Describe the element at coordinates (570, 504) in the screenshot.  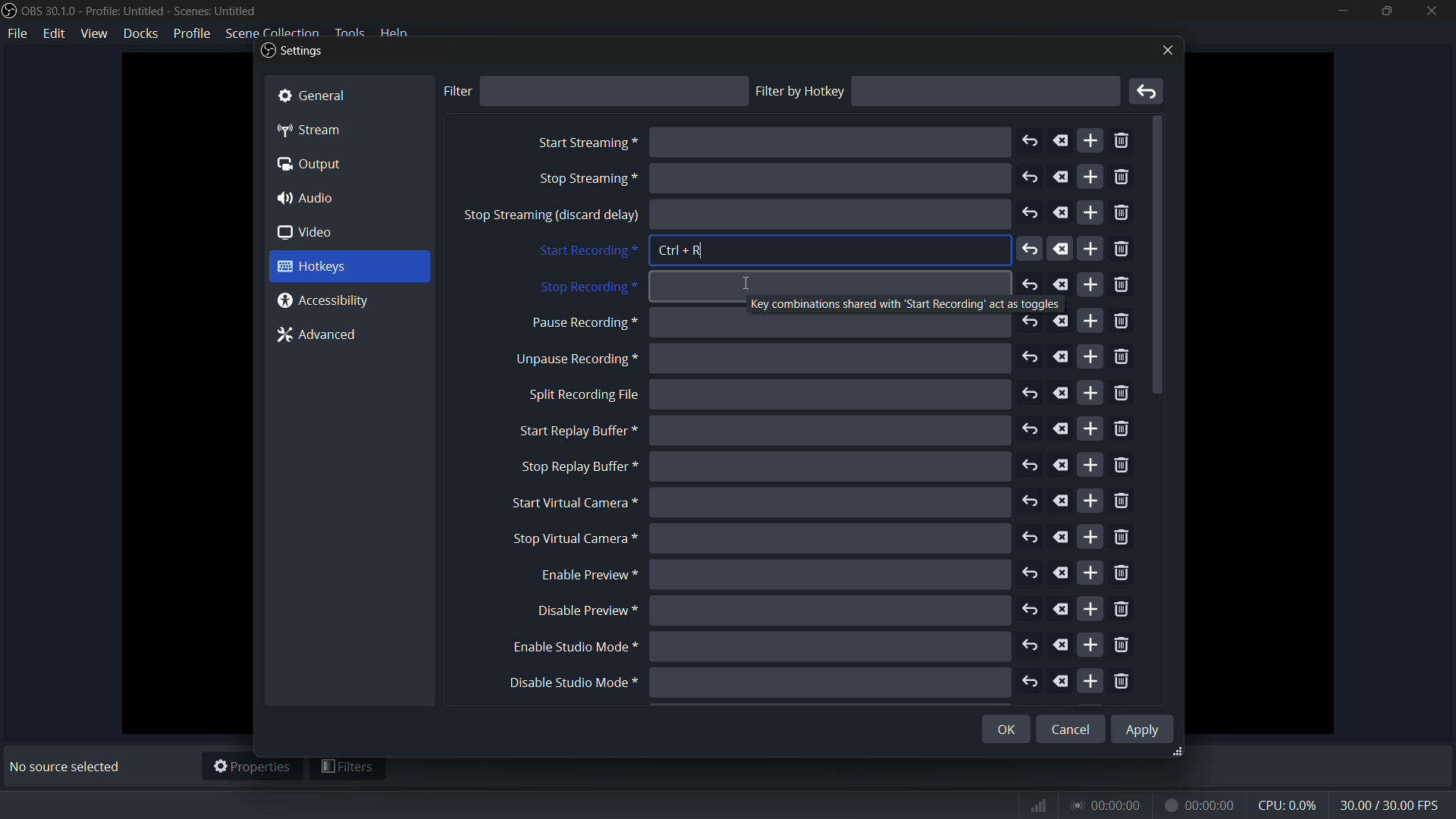
I see `start virtual camera` at that location.